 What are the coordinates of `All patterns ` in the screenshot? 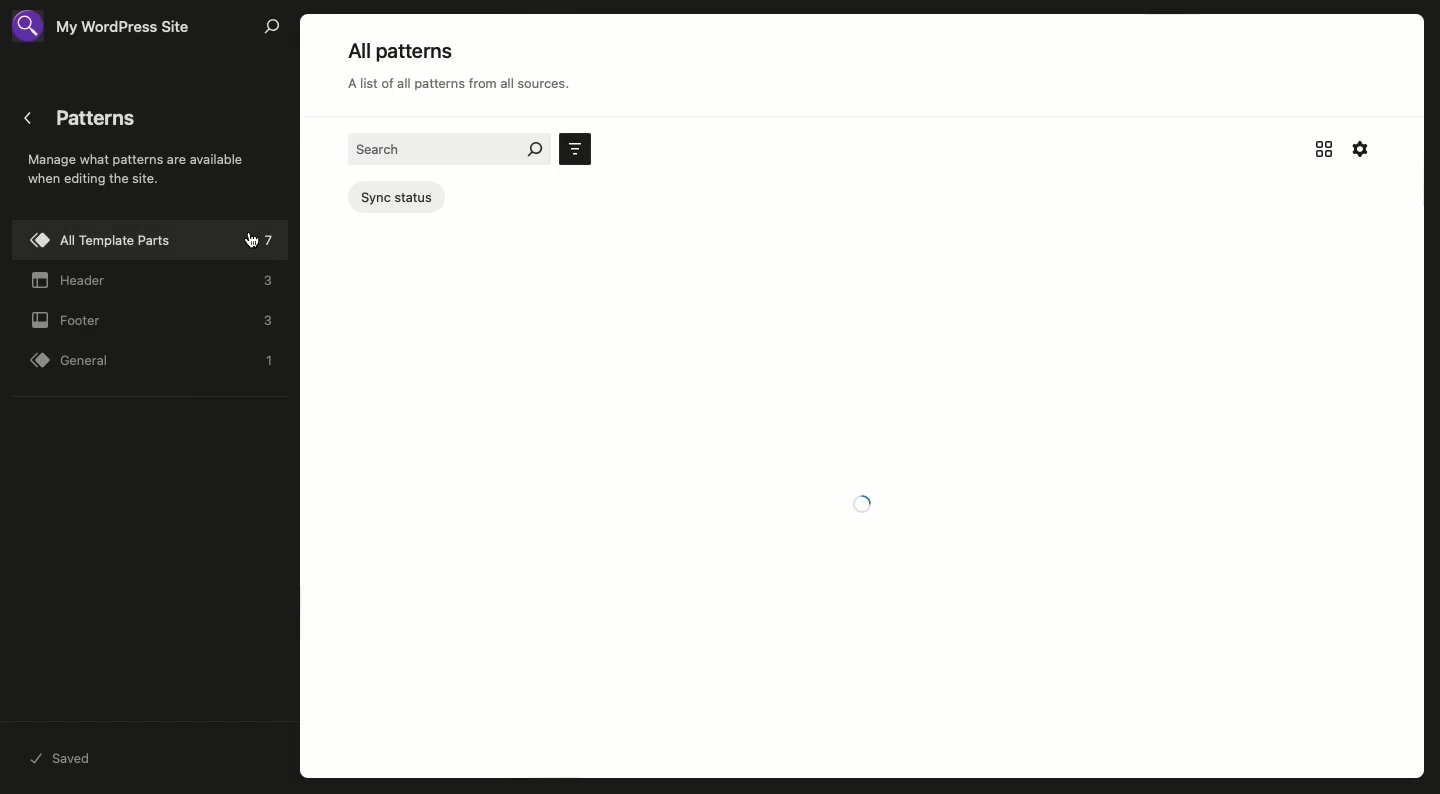 It's located at (472, 73).